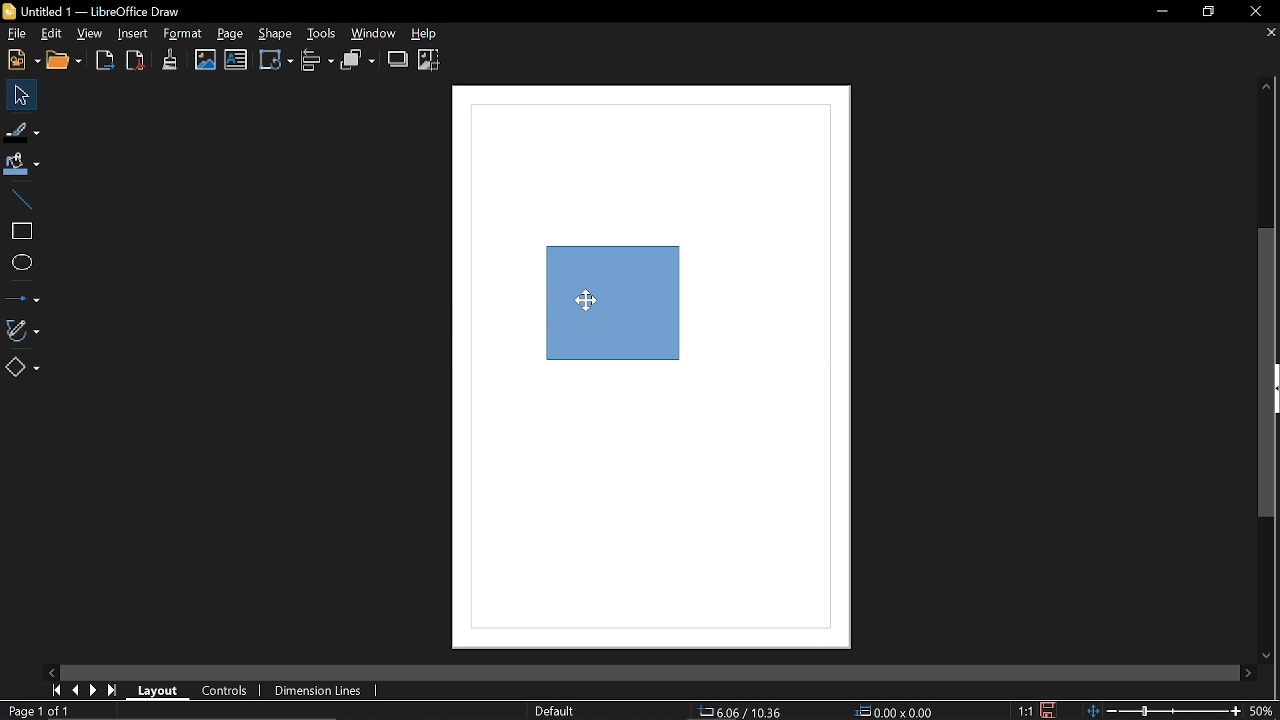  I want to click on View, so click(90, 34).